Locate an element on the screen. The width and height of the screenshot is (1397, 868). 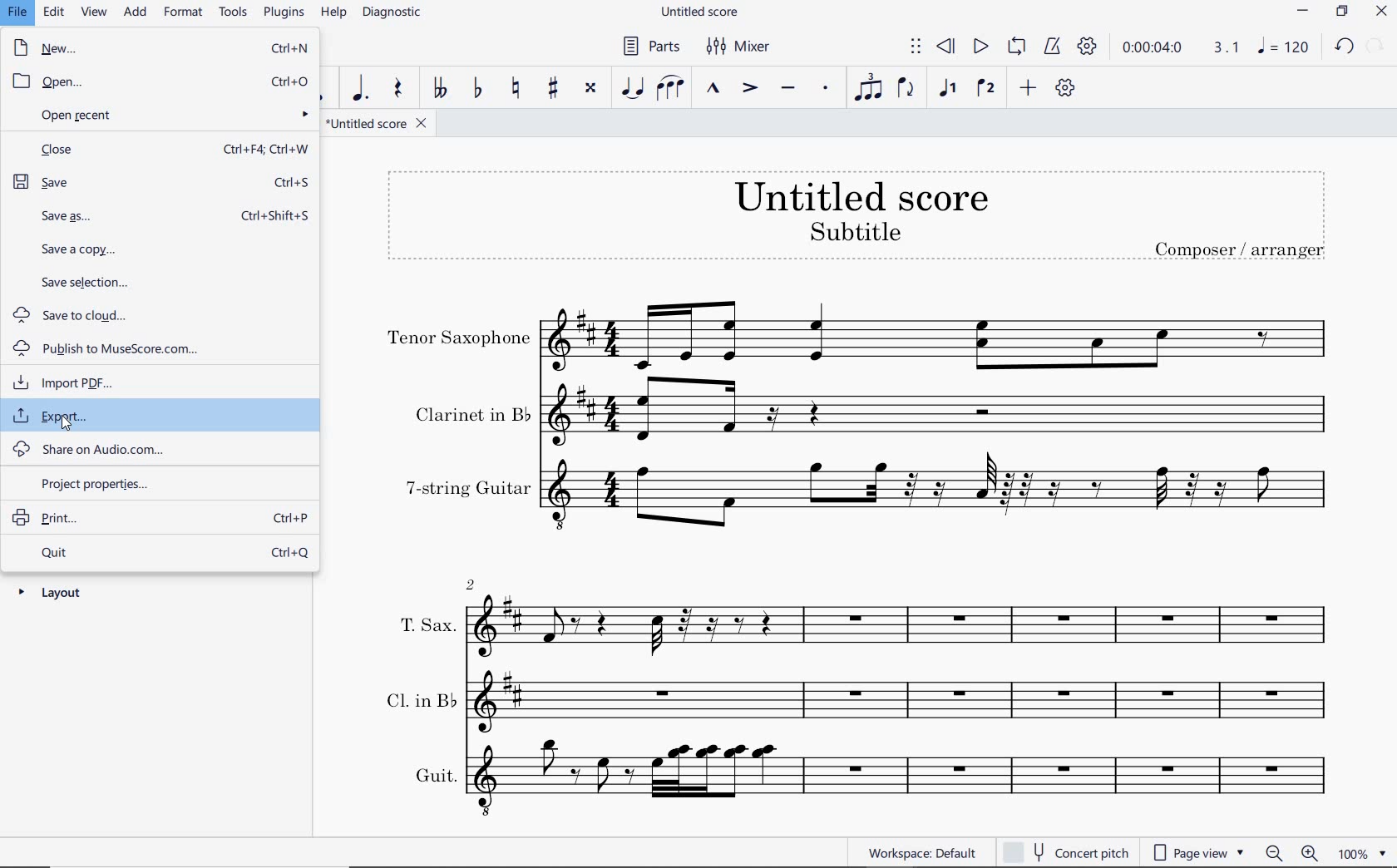
save as is located at coordinates (163, 215).